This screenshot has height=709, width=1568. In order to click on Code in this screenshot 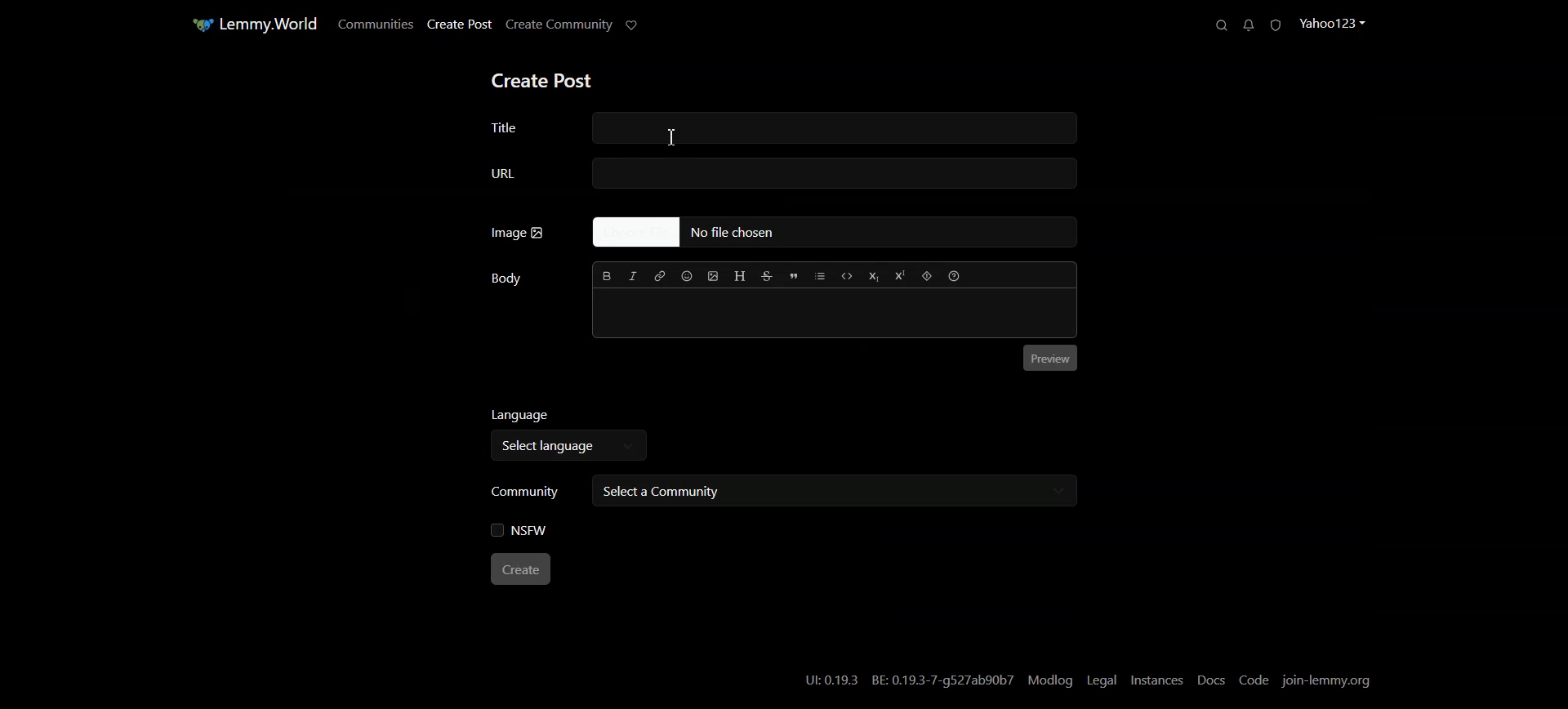, I will do `click(1255, 680)`.